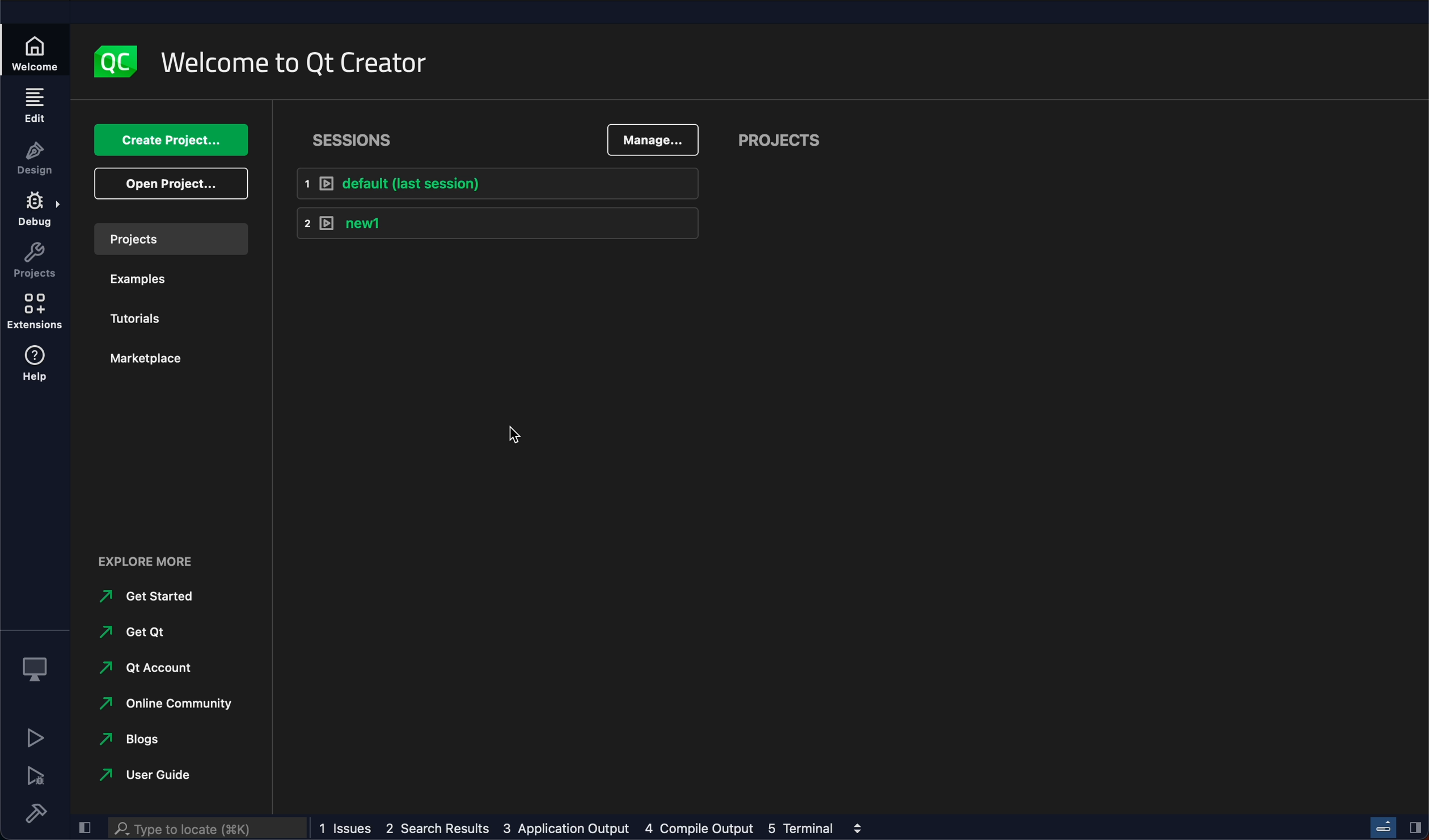 The width and height of the screenshot is (1429, 840). What do you see at coordinates (113, 59) in the screenshot?
I see `logo` at bounding box center [113, 59].